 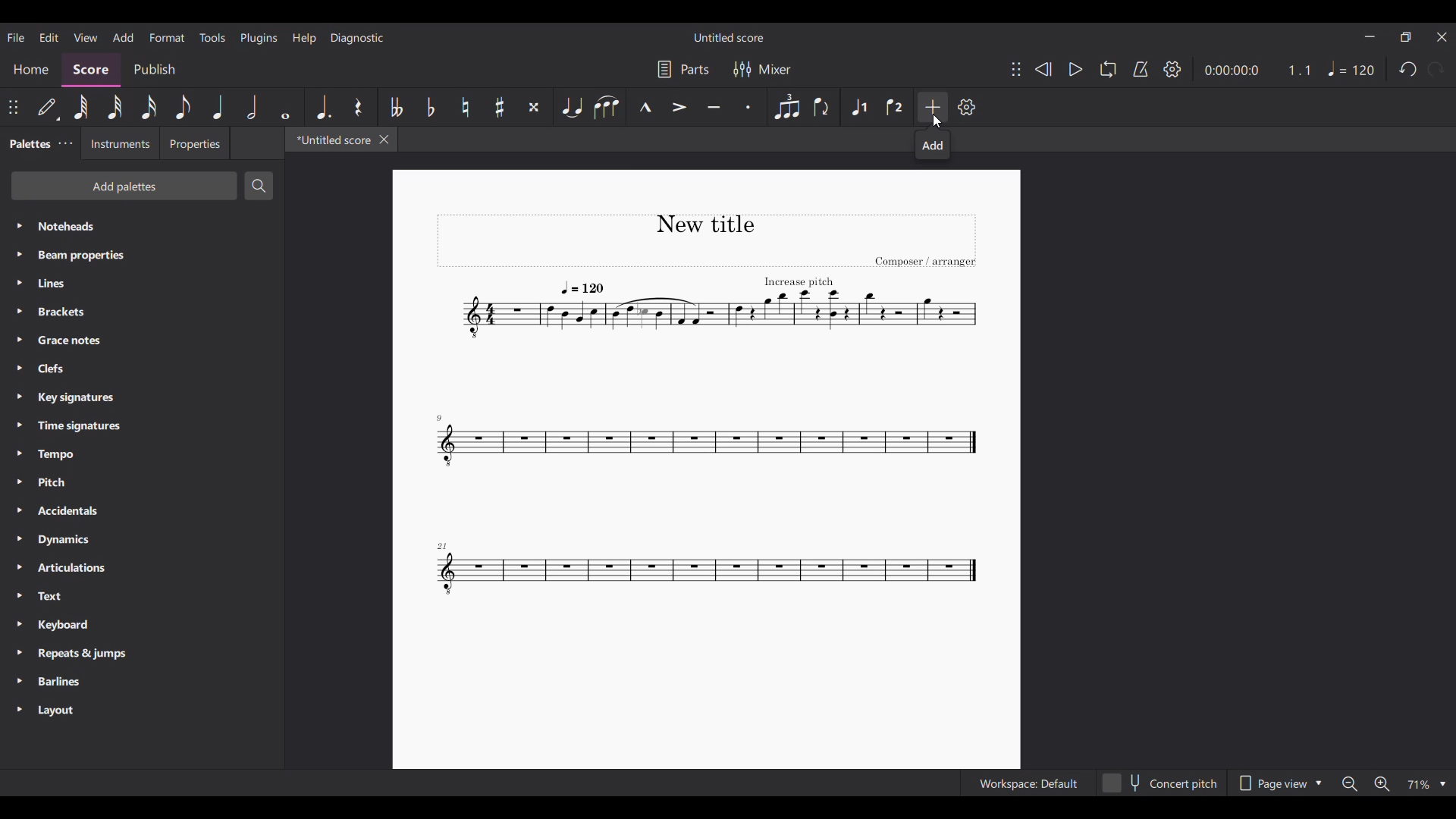 What do you see at coordinates (167, 38) in the screenshot?
I see `Format menu` at bounding box center [167, 38].